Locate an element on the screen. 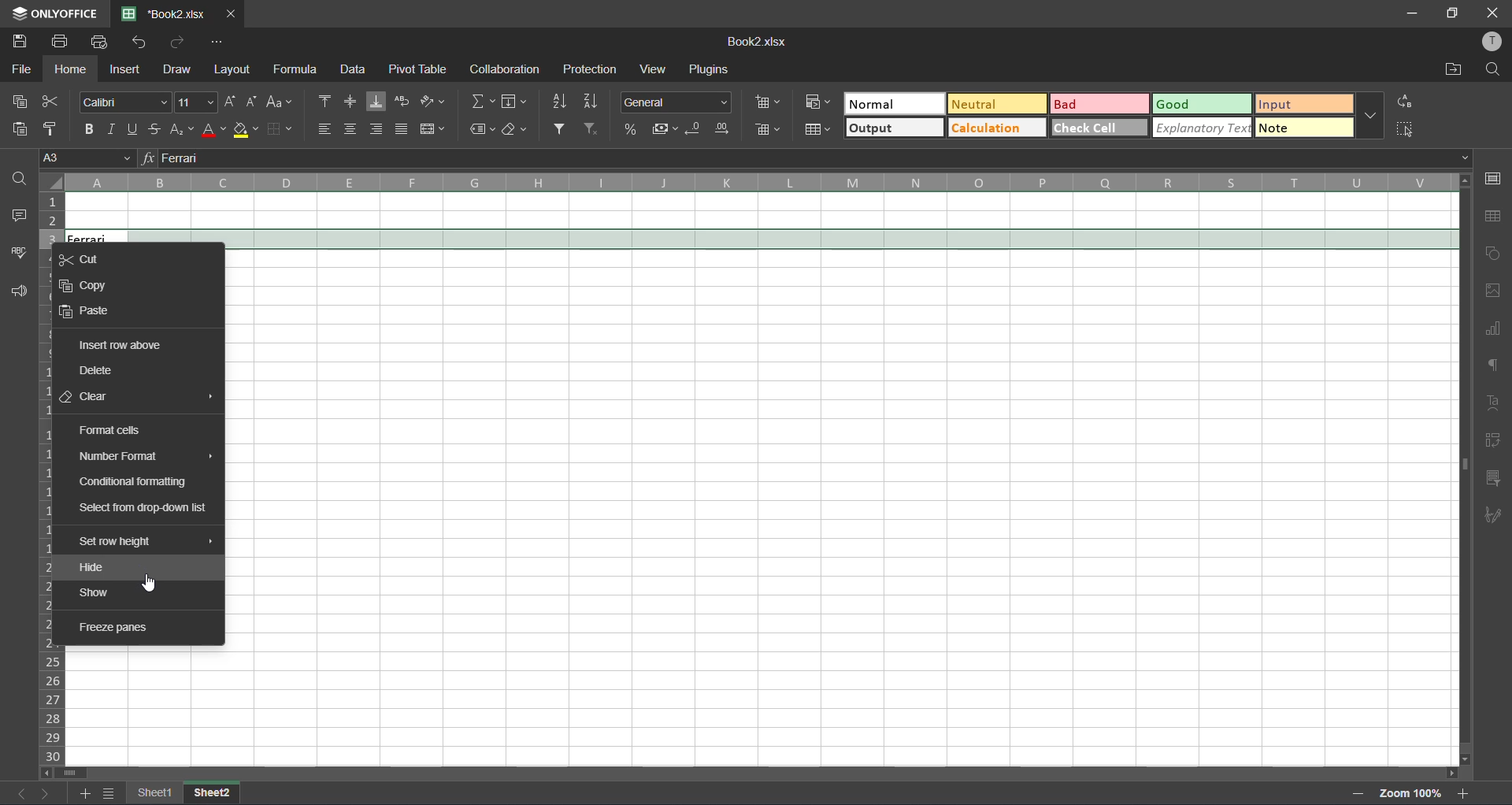 This screenshot has width=1512, height=805. freeze panes is located at coordinates (117, 628).